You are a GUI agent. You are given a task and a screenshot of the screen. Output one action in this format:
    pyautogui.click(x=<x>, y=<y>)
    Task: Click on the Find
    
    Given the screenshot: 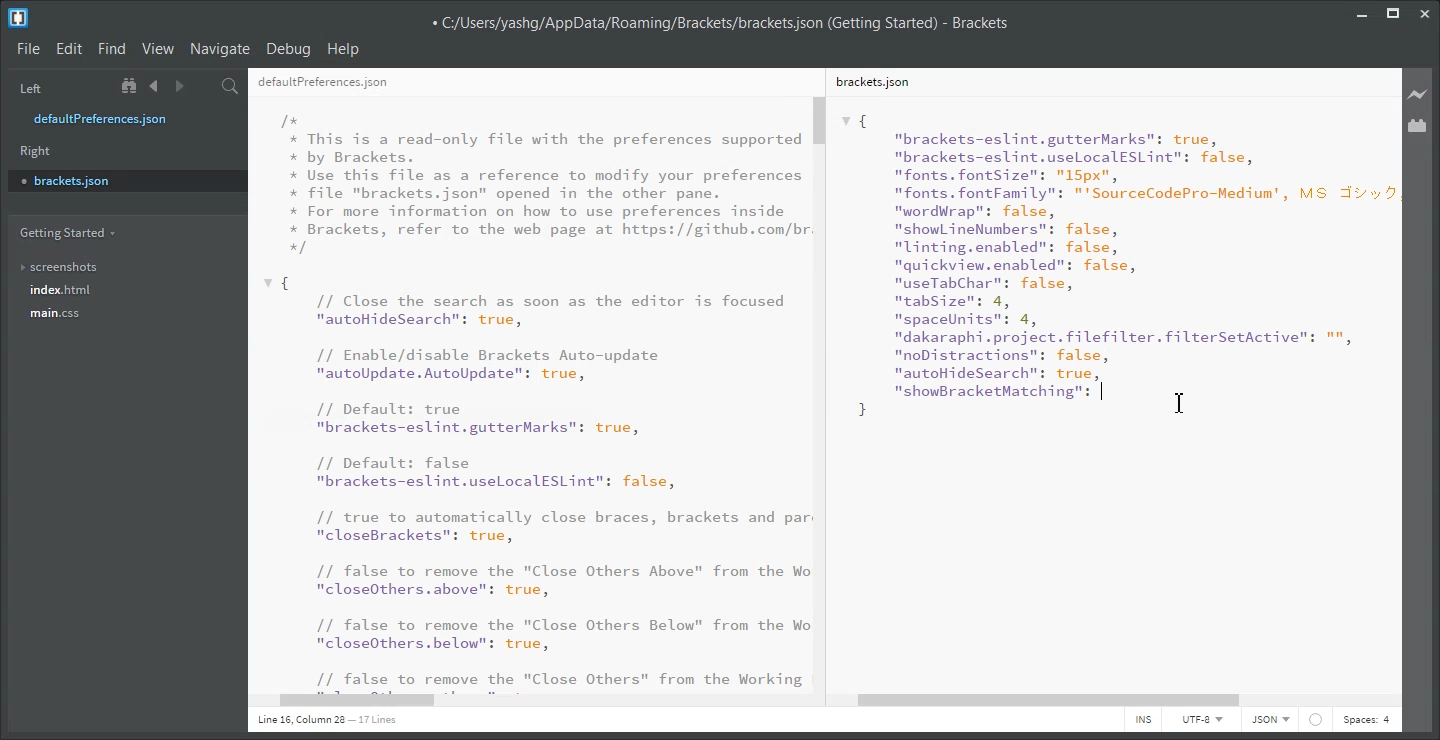 What is the action you would take?
    pyautogui.click(x=112, y=49)
    